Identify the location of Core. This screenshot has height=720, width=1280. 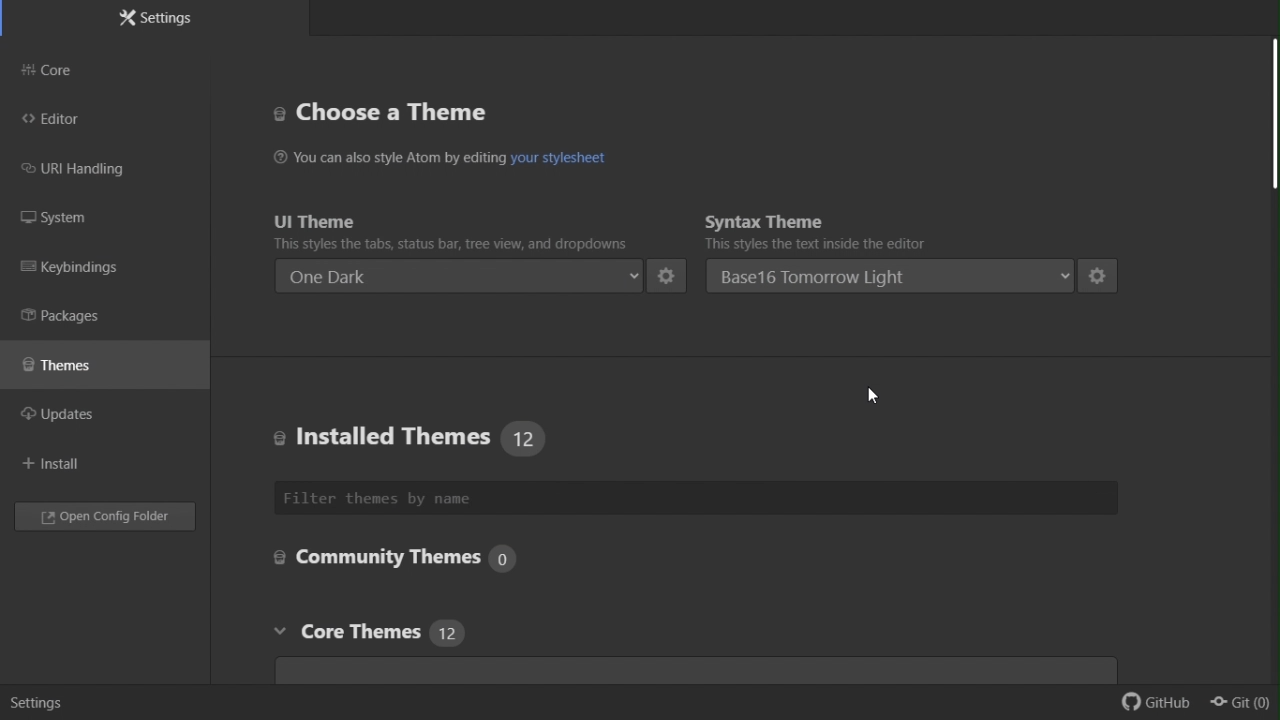
(70, 70).